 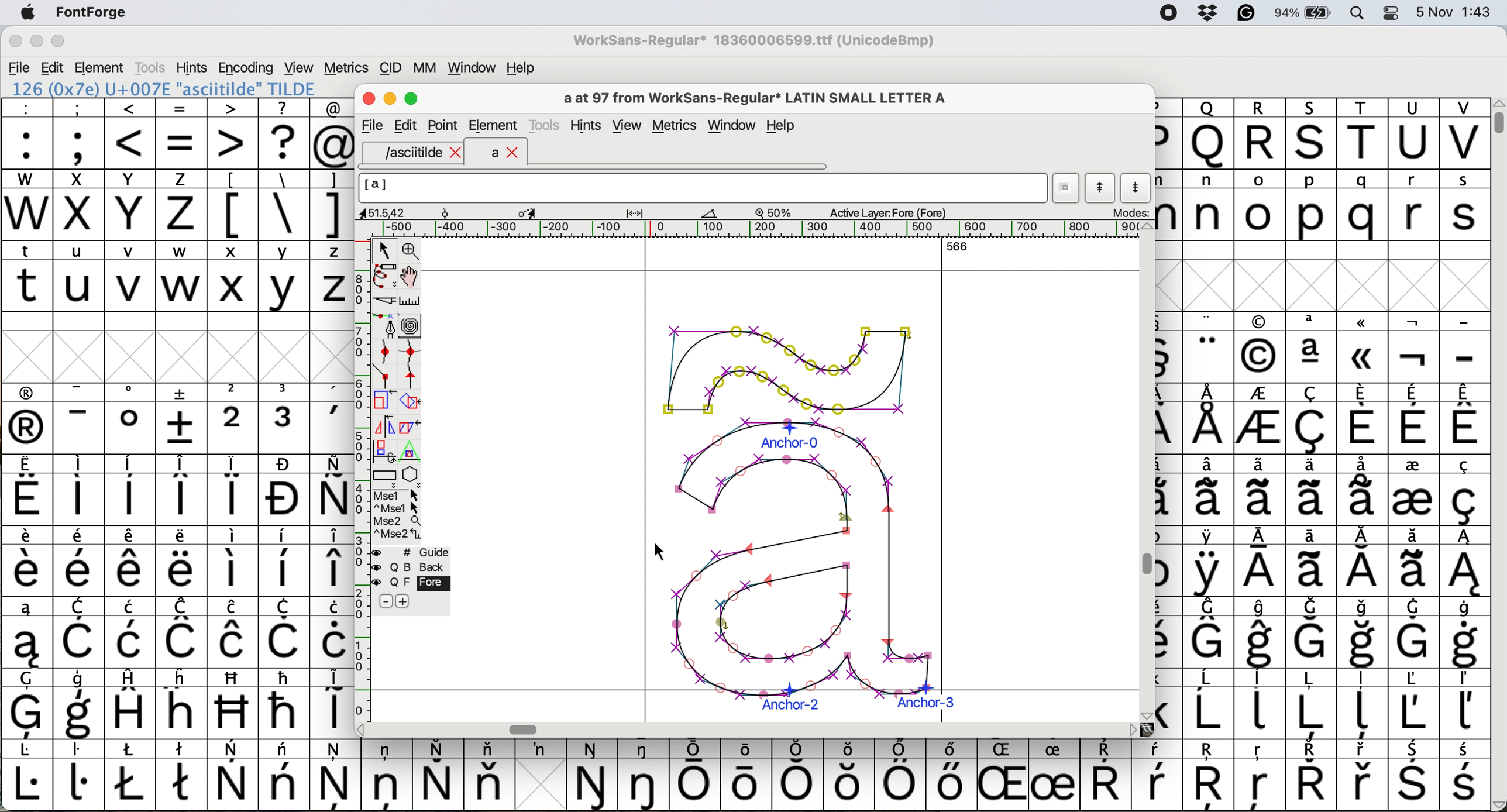 What do you see at coordinates (413, 376) in the screenshot?
I see `add a tangent point` at bounding box center [413, 376].